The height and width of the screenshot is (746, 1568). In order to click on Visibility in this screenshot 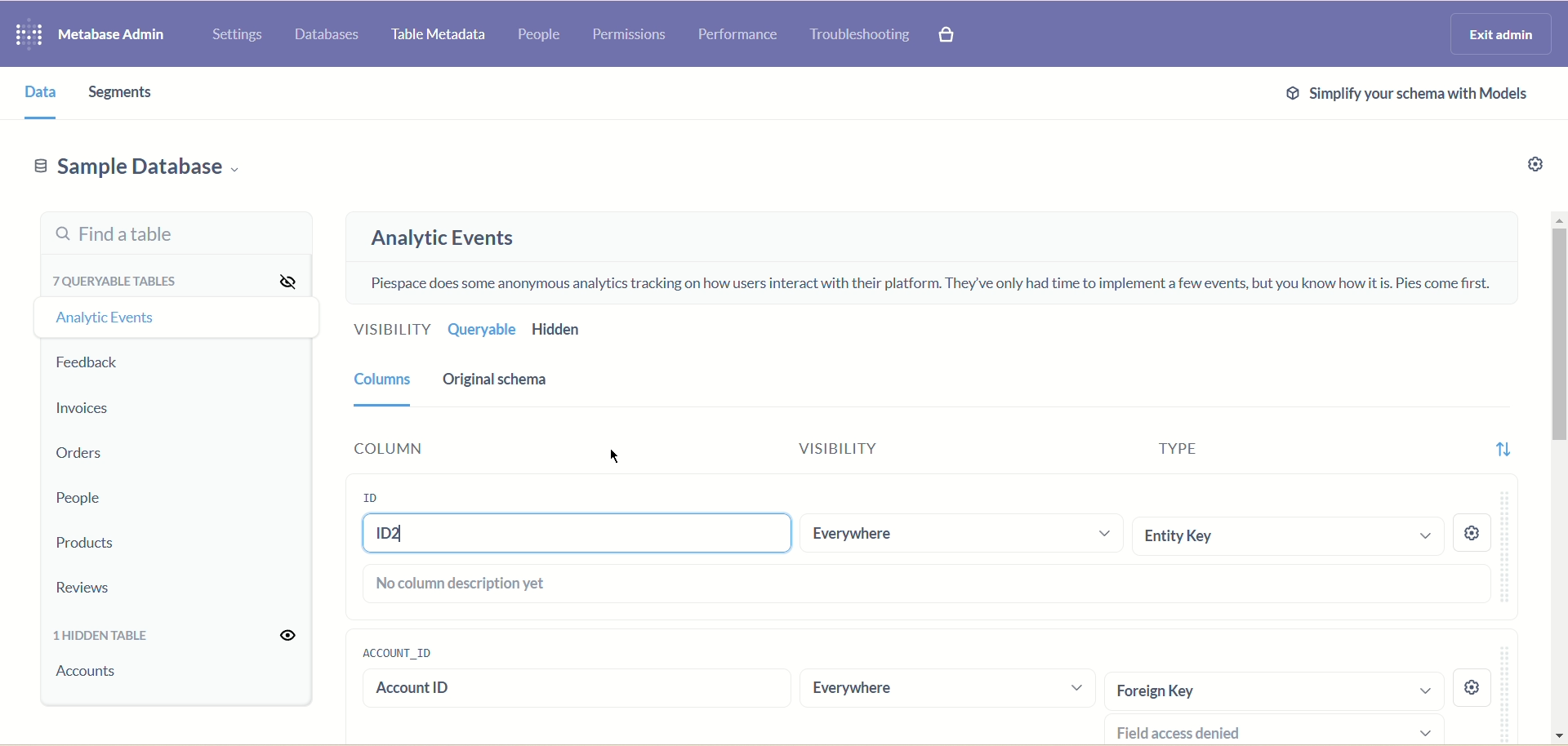, I will do `click(385, 331)`.